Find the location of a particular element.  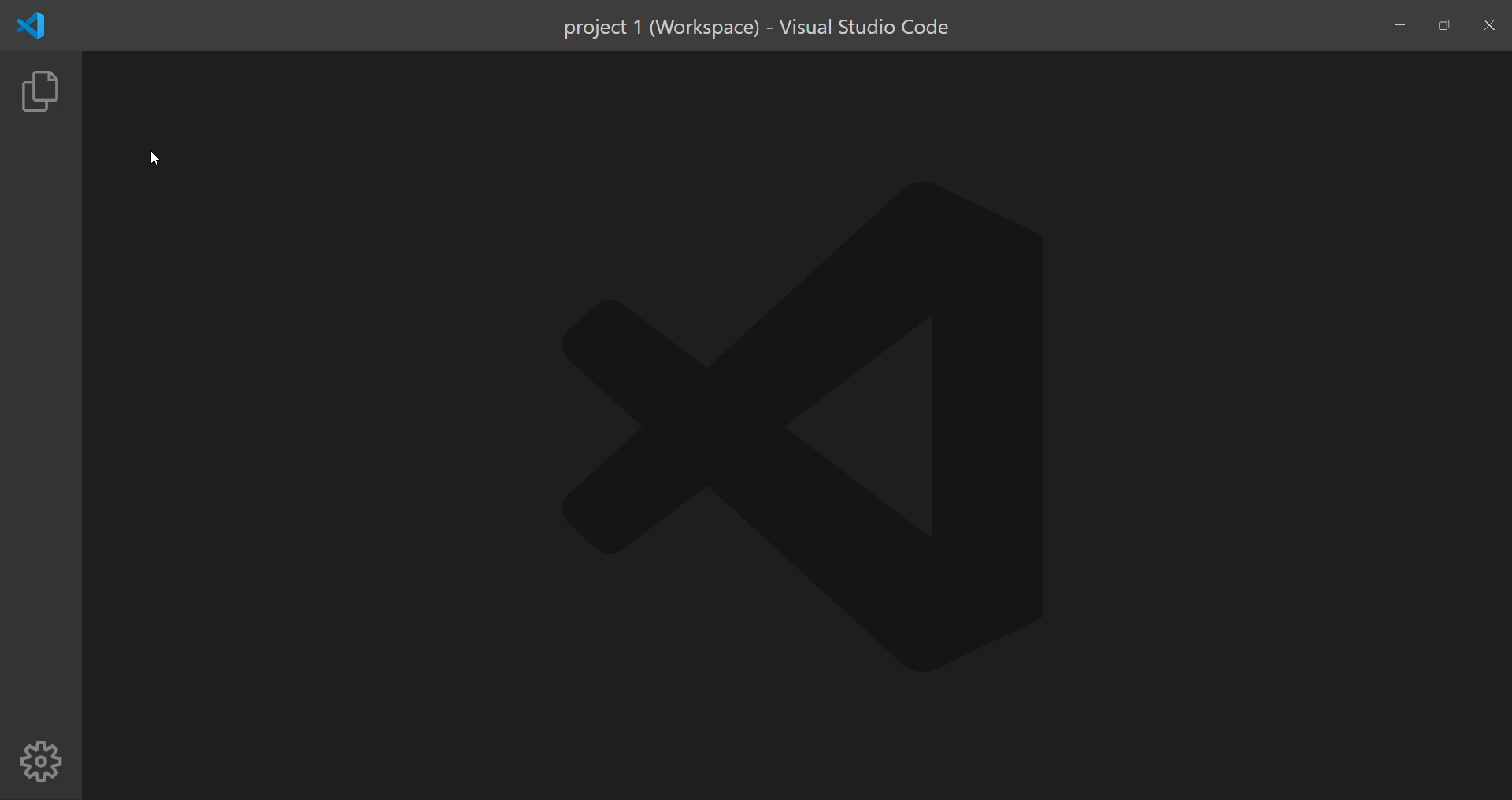

manage is located at coordinates (41, 761).